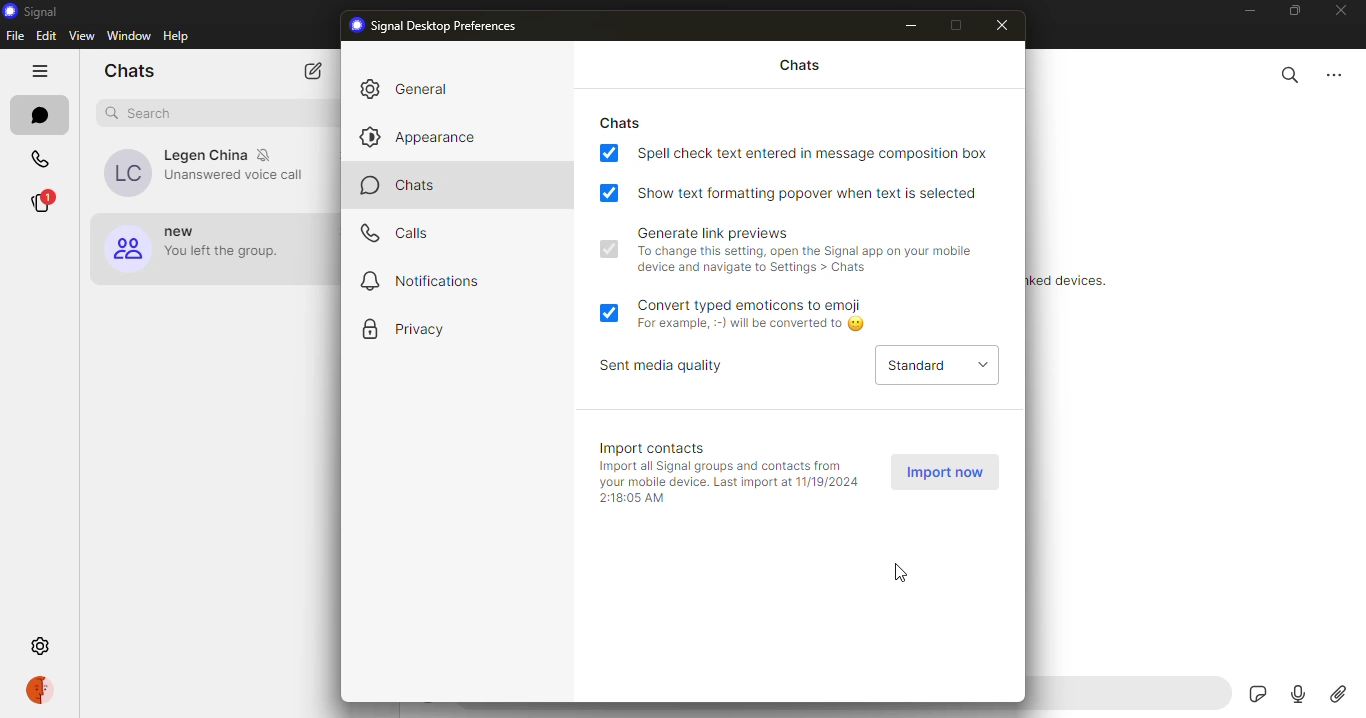 This screenshot has width=1366, height=718. I want to click on search, so click(1290, 75).